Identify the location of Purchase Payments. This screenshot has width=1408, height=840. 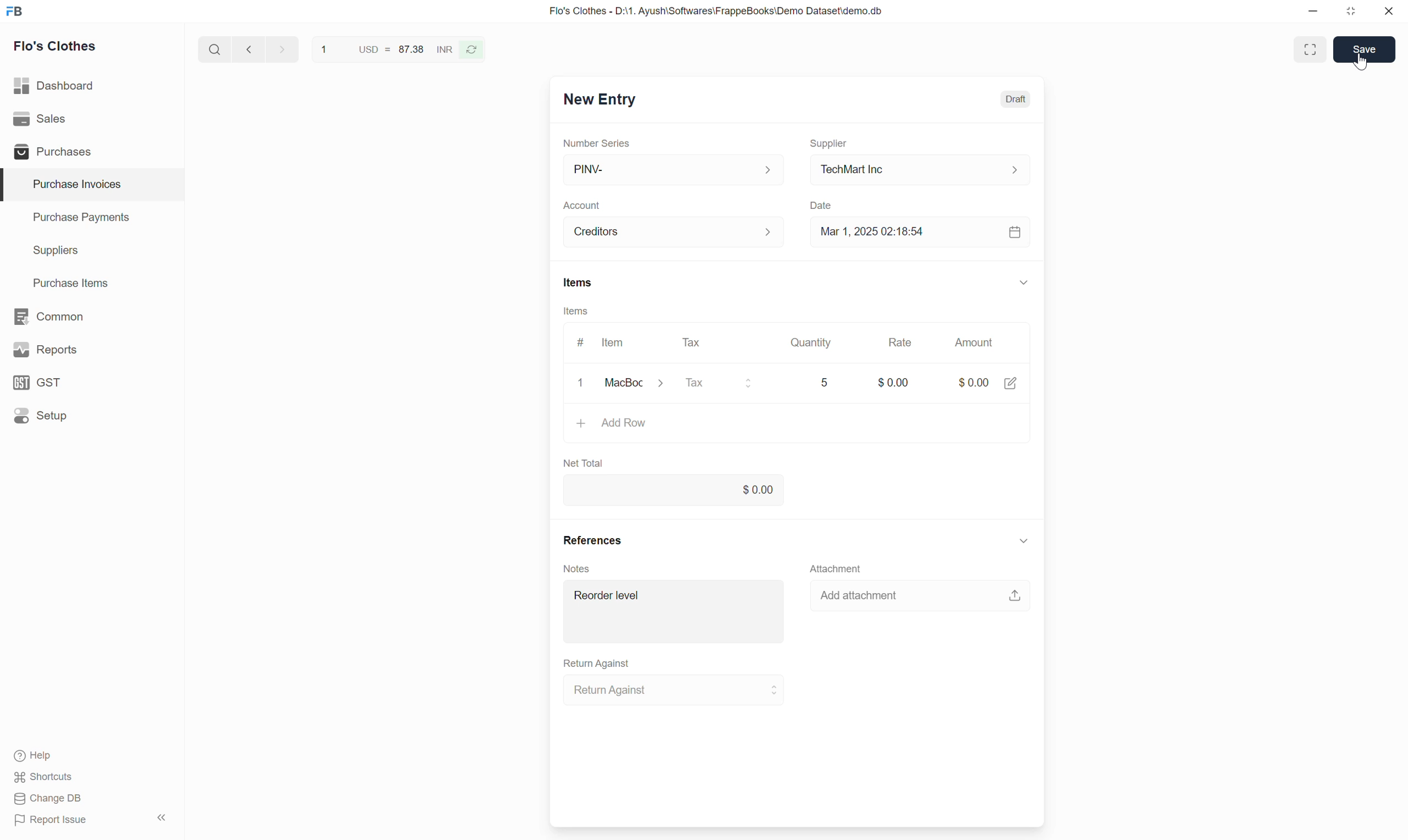
(92, 218).